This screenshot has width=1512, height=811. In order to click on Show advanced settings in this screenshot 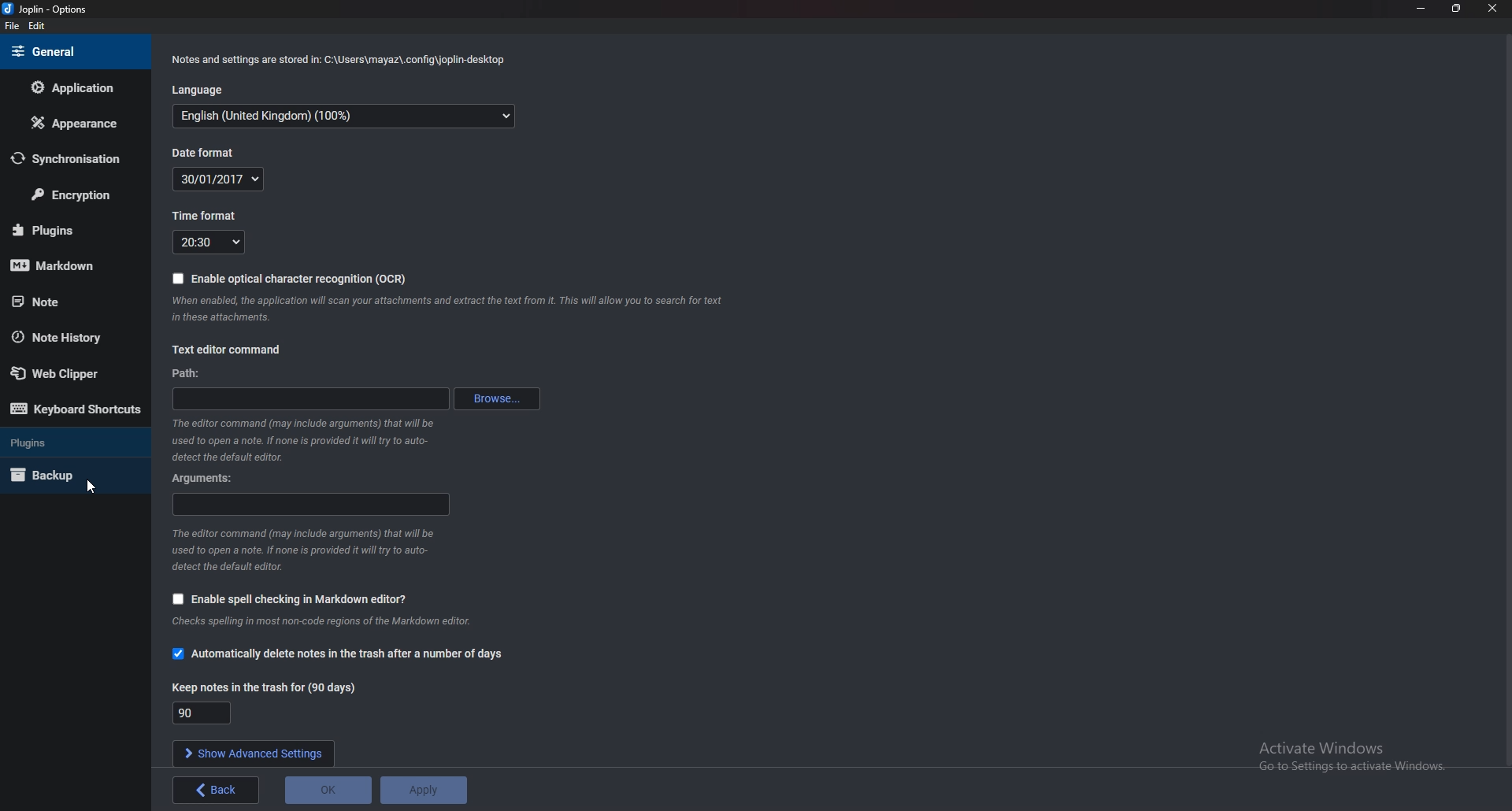, I will do `click(263, 753)`.